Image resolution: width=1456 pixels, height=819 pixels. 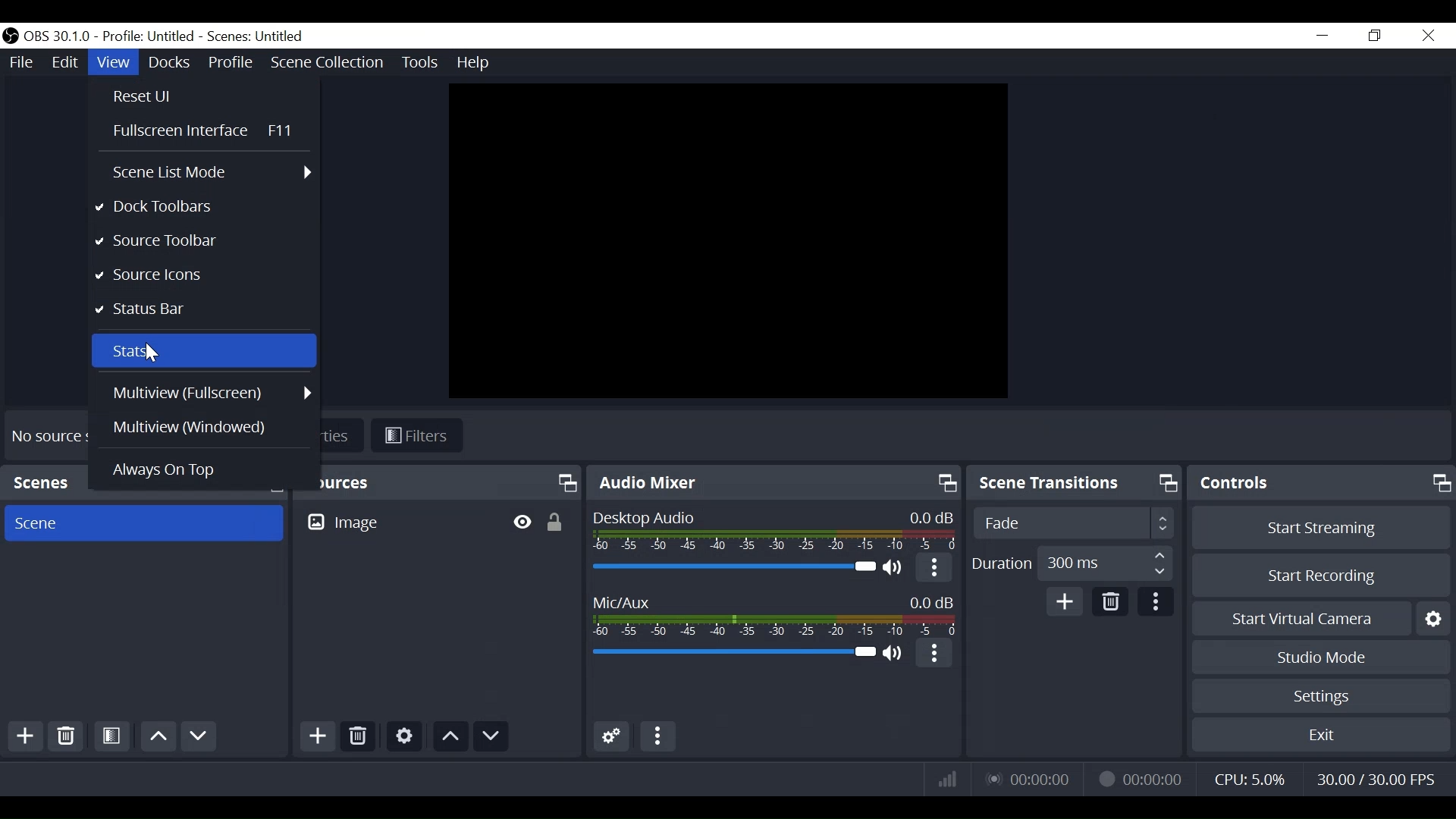 What do you see at coordinates (894, 657) in the screenshot?
I see `(un)mute` at bounding box center [894, 657].